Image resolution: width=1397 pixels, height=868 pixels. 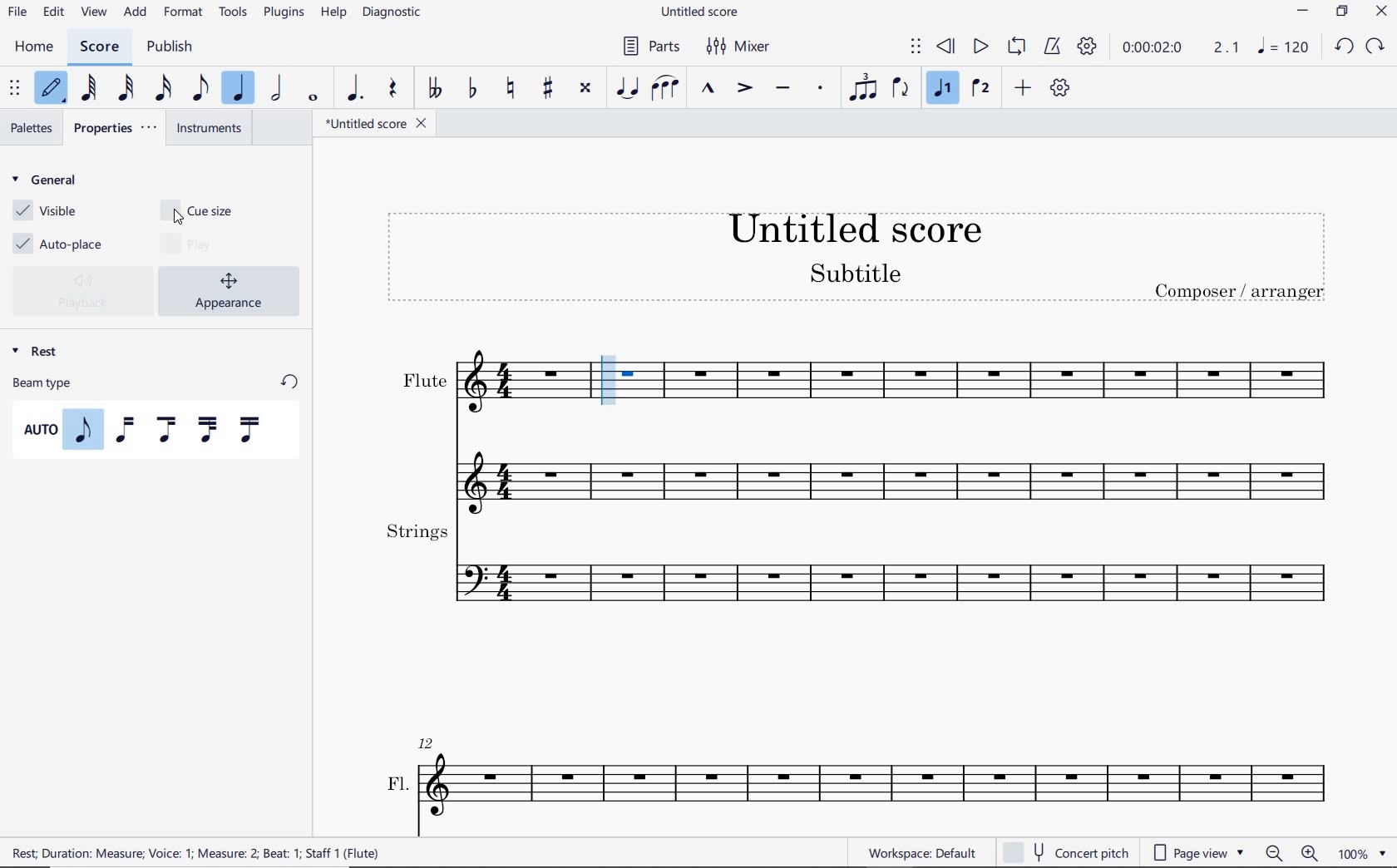 I want to click on TENUTO, so click(x=783, y=86).